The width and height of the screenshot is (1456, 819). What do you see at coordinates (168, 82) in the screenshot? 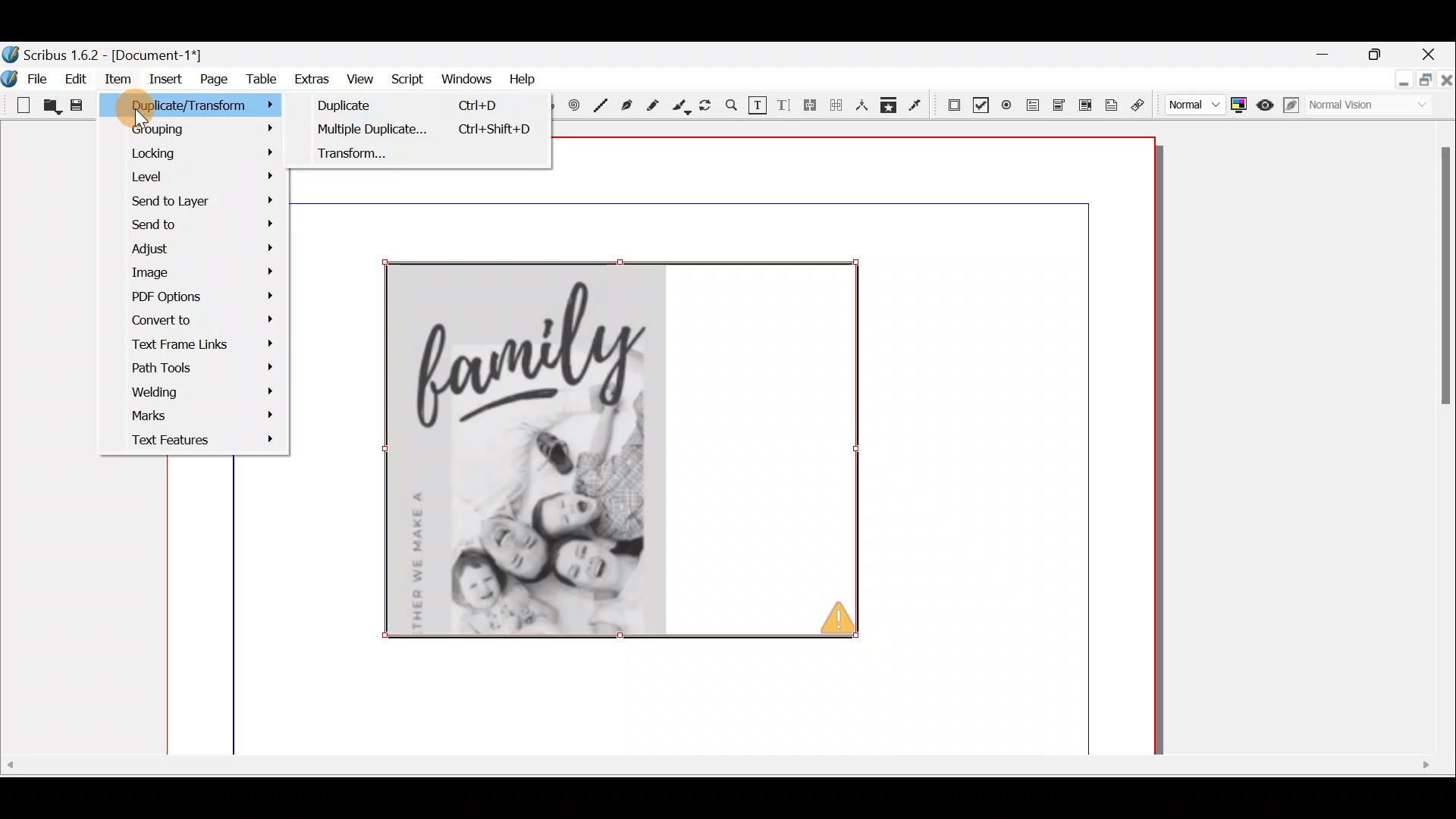
I see `Insert` at bounding box center [168, 82].